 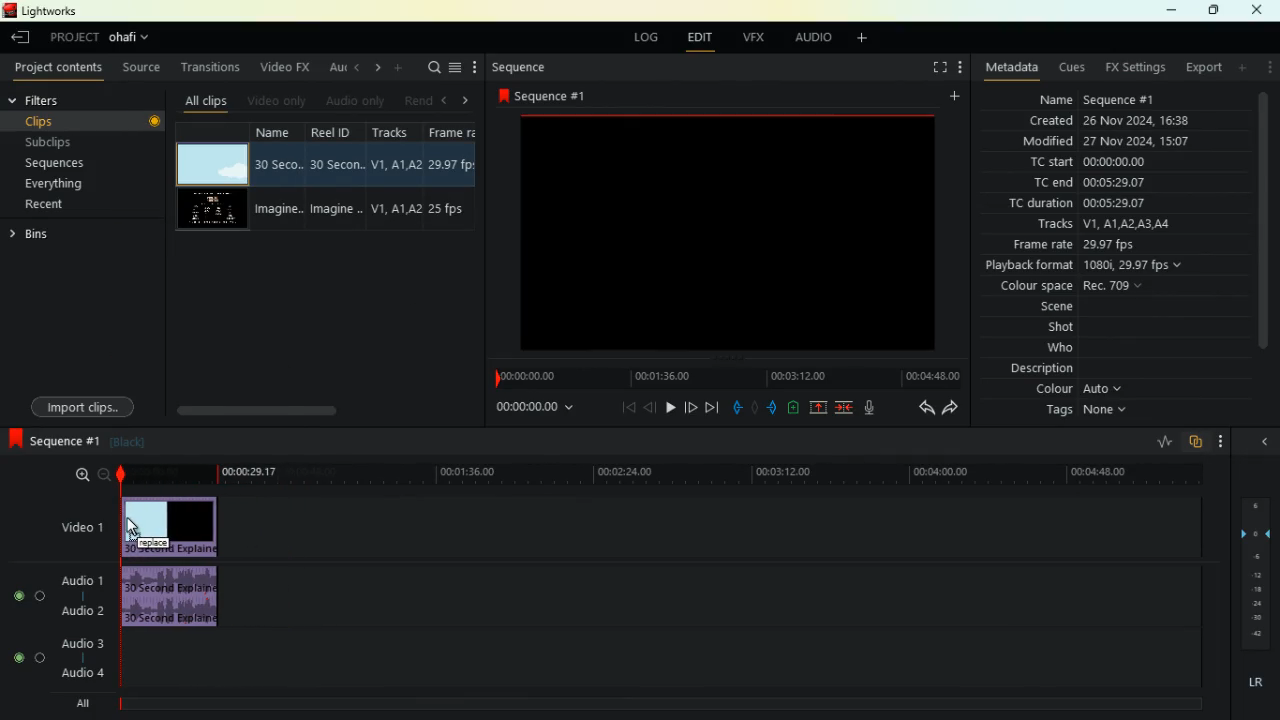 I want to click on 29.97 fps, so click(x=1118, y=245).